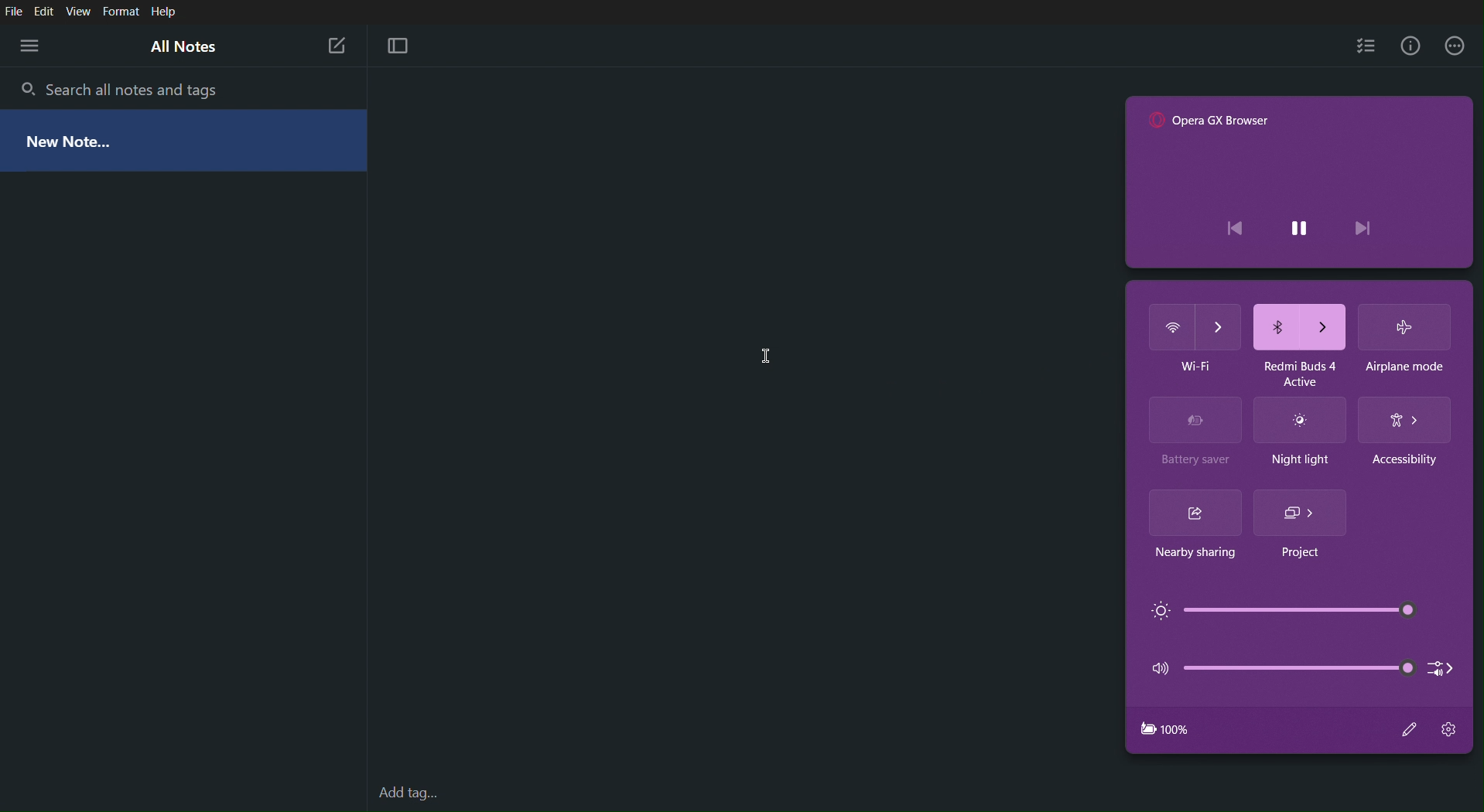  Describe the element at coordinates (415, 798) in the screenshot. I see `add tag` at that location.